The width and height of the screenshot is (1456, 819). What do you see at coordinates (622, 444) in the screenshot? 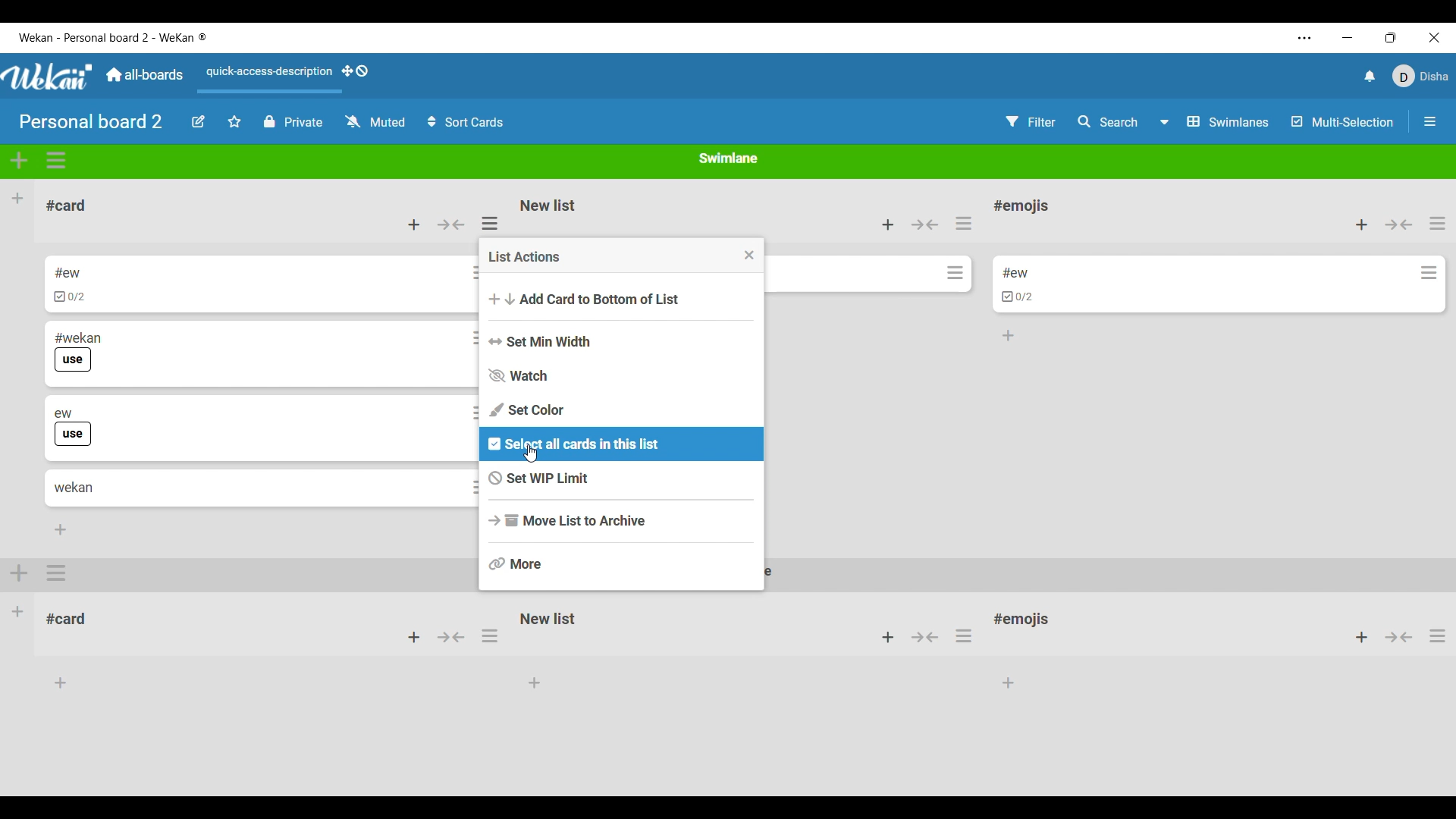
I see `Select all cards in this list, highlighted by cursor` at bounding box center [622, 444].